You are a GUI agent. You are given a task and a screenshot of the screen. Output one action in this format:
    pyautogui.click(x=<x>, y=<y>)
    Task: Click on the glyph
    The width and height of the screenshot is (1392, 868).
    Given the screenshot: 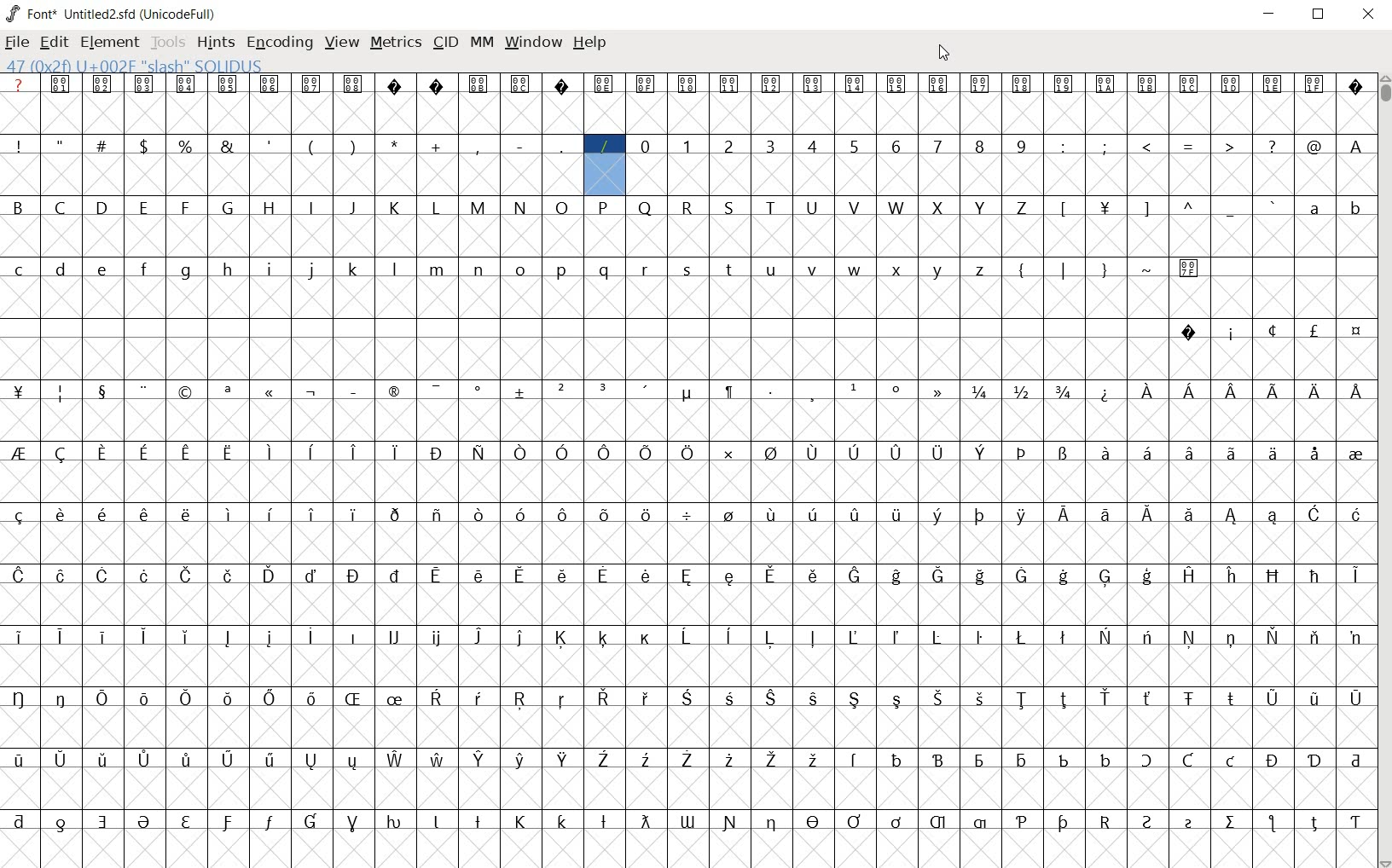 What is the action you would take?
    pyautogui.click(x=270, y=85)
    